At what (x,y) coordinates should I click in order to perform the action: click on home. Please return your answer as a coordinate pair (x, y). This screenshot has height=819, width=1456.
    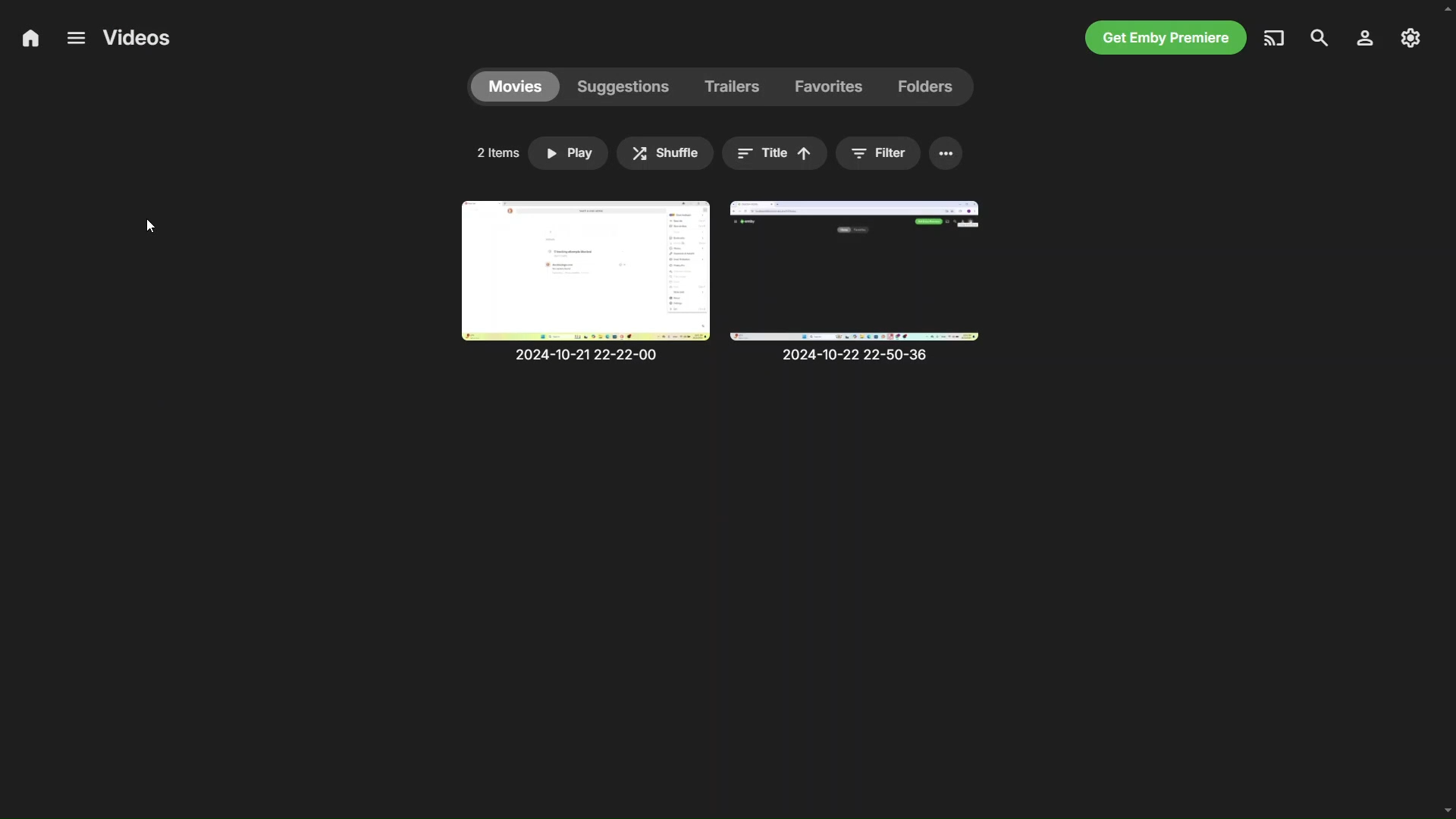
    Looking at the image, I should click on (27, 39).